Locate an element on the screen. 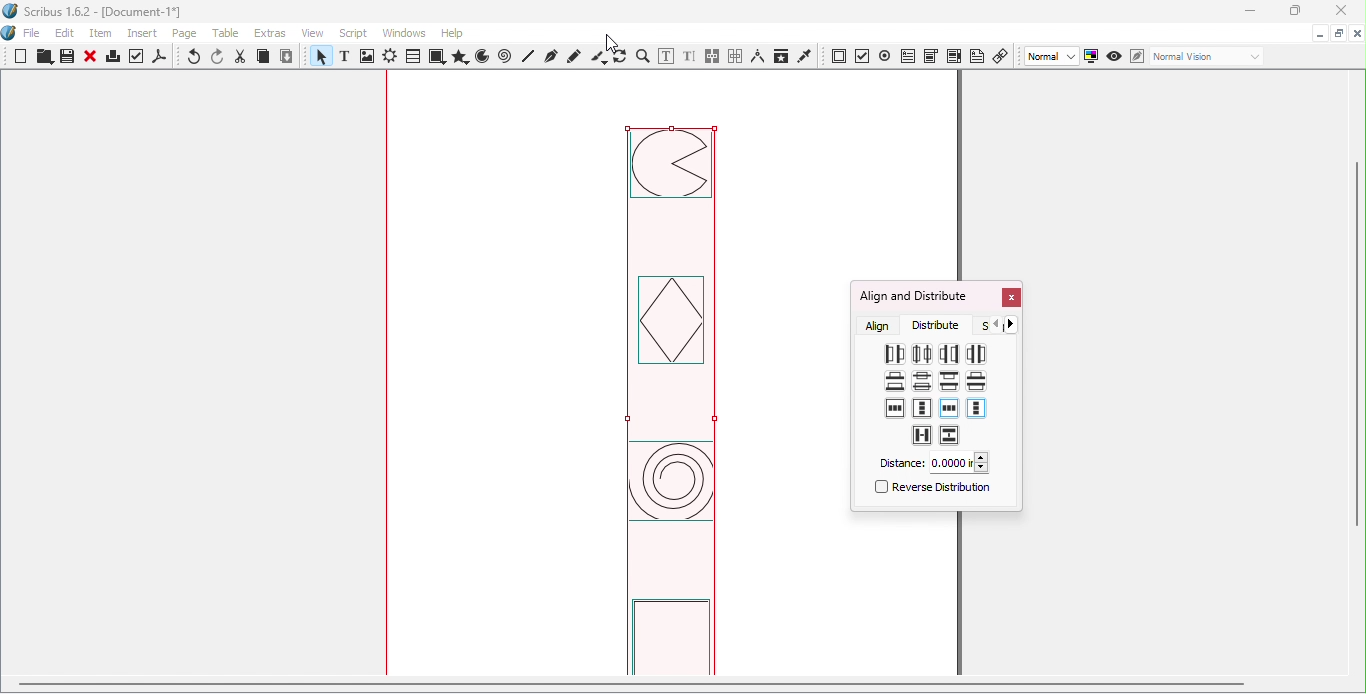 The width and height of the screenshot is (1366, 694). Eye dropper is located at coordinates (805, 55).